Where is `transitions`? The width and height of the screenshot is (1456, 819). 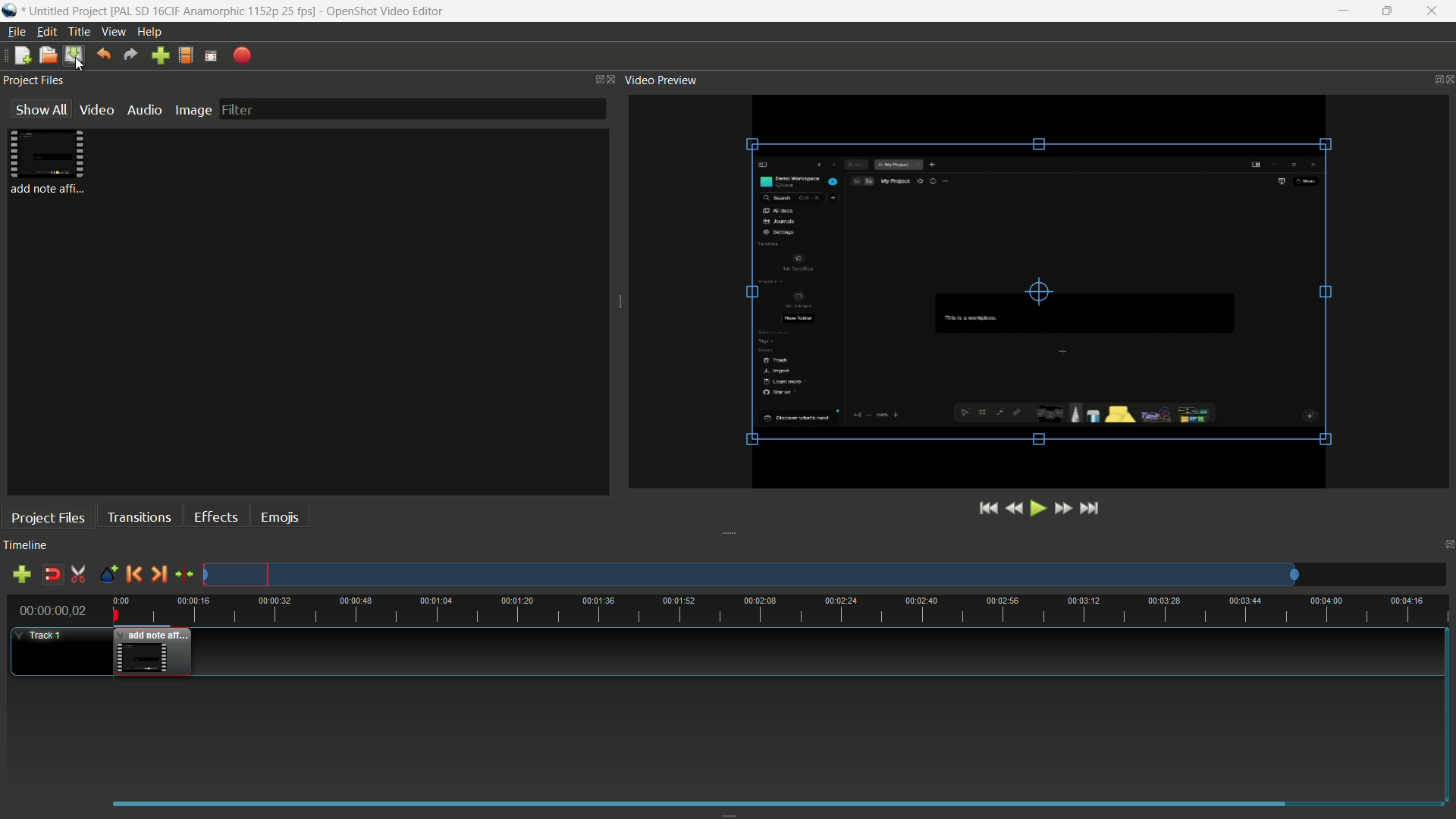
transitions is located at coordinates (139, 518).